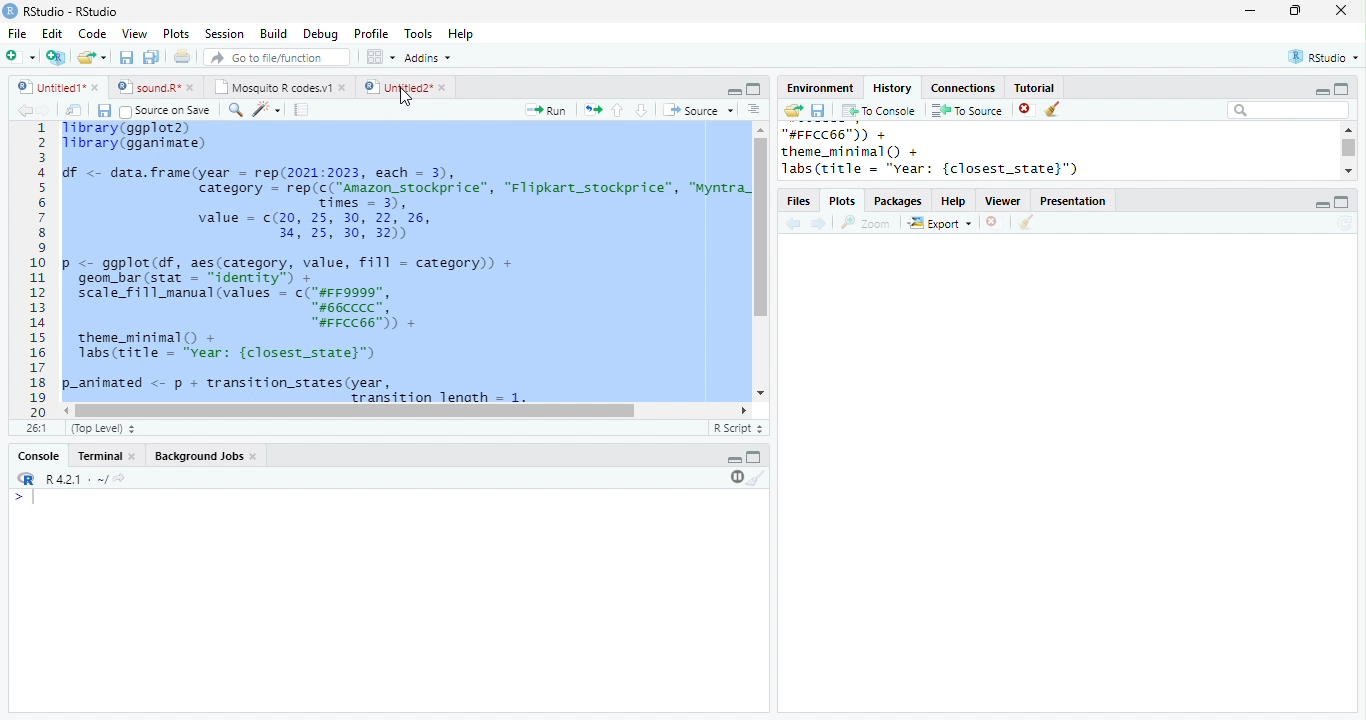 The image size is (1366, 720). Describe the element at coordinates (1322, 205) in the screenshot. I see `minimize` at that location.